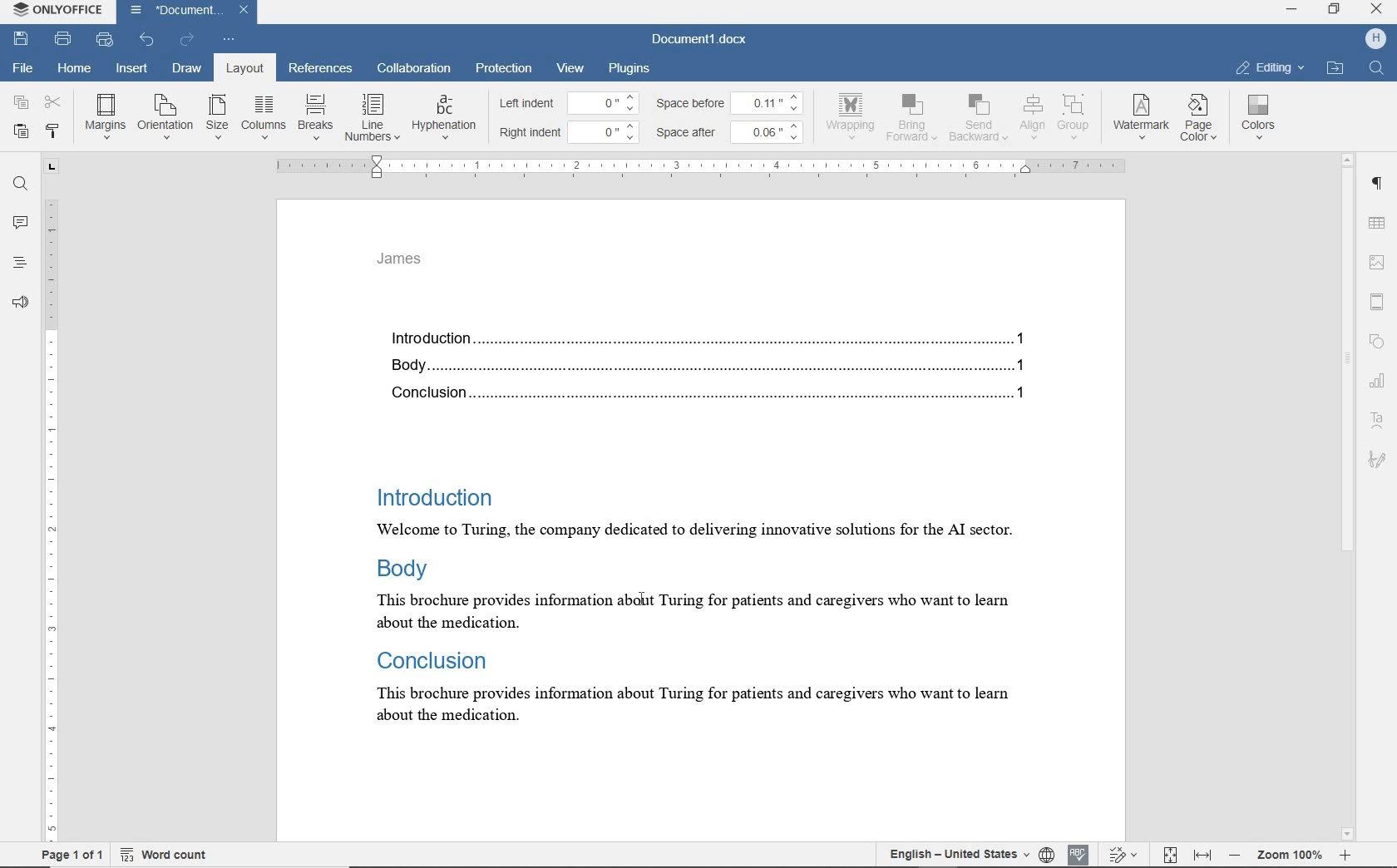  What do you see at coordinates (978, 120) in the screenshot?
I see `send backward` at bounding box center [978, 120].